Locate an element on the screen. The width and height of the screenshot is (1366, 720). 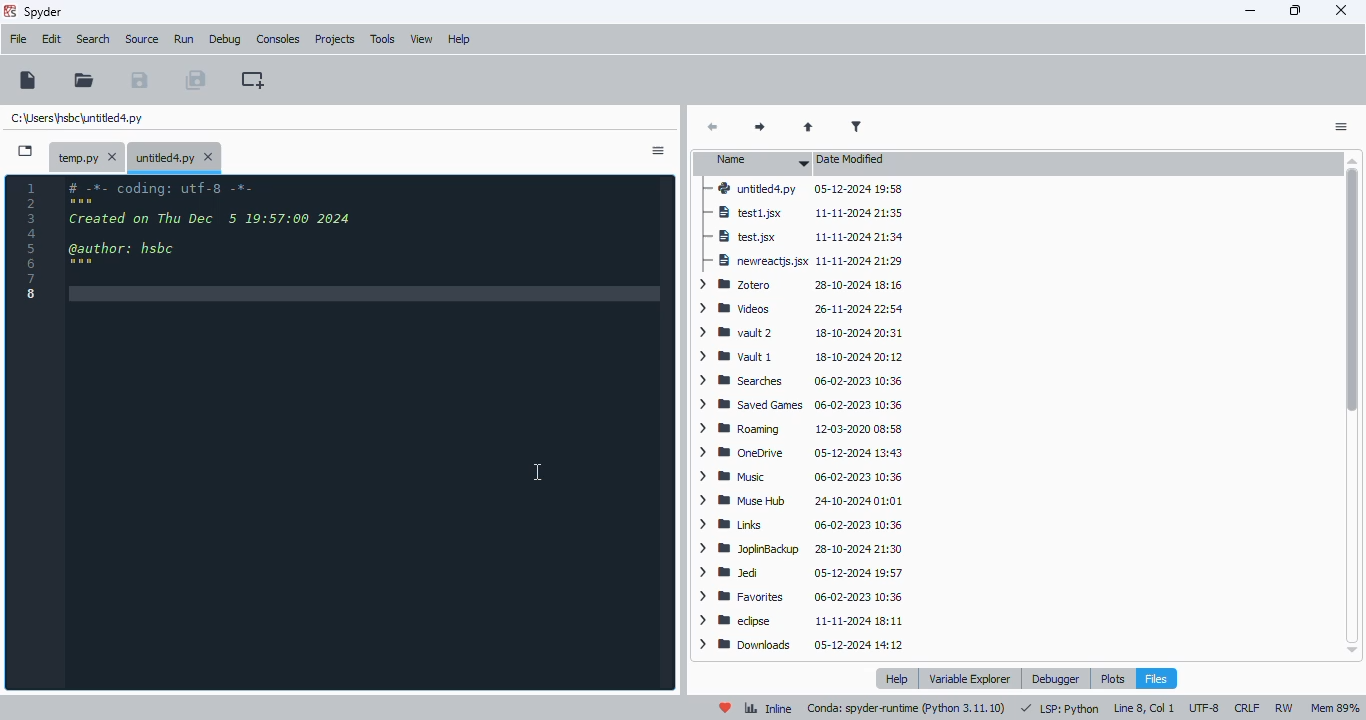
videos is located at coordinates (734, 309).